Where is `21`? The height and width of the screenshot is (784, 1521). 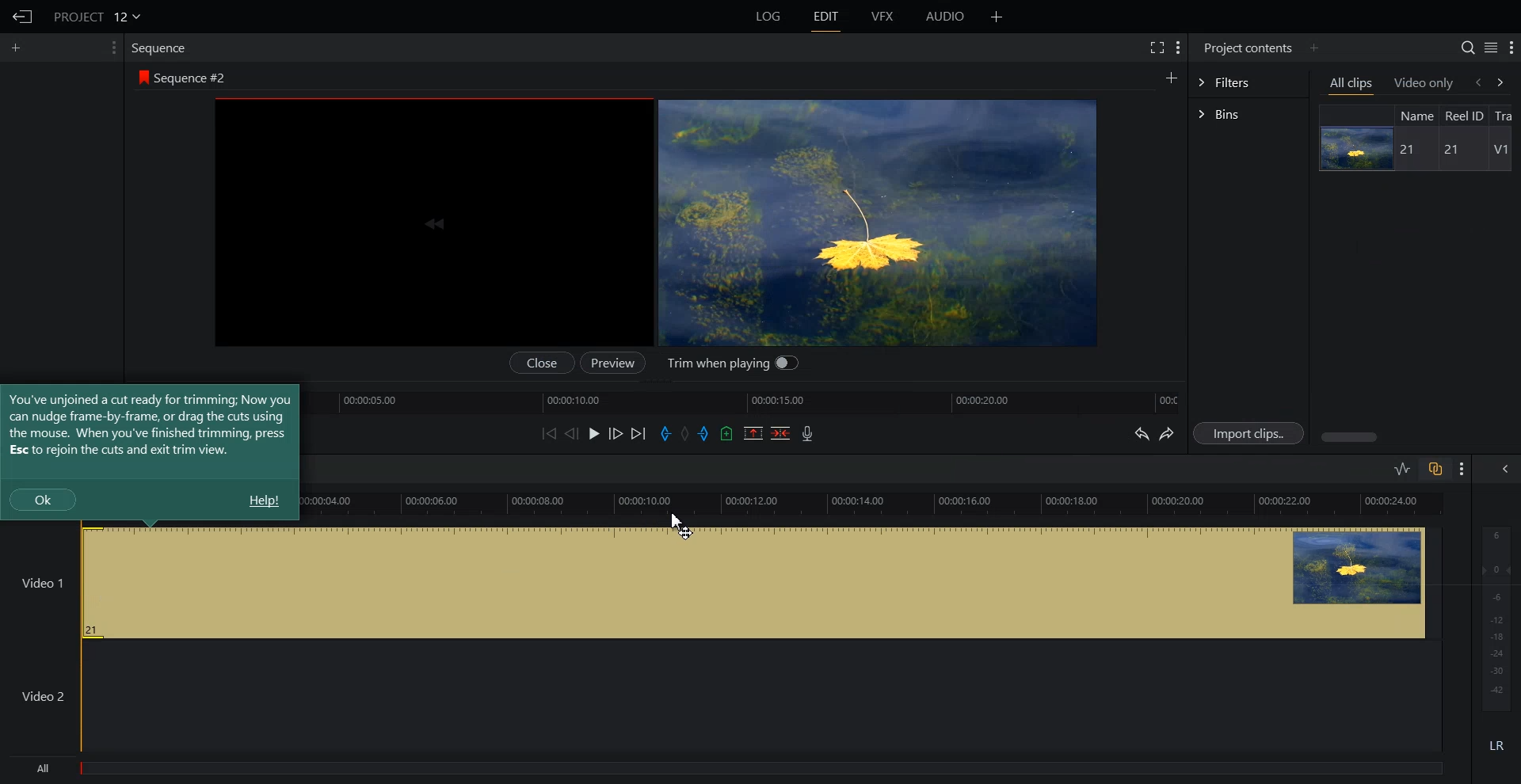 21 is located at coordinates (1410, 150).